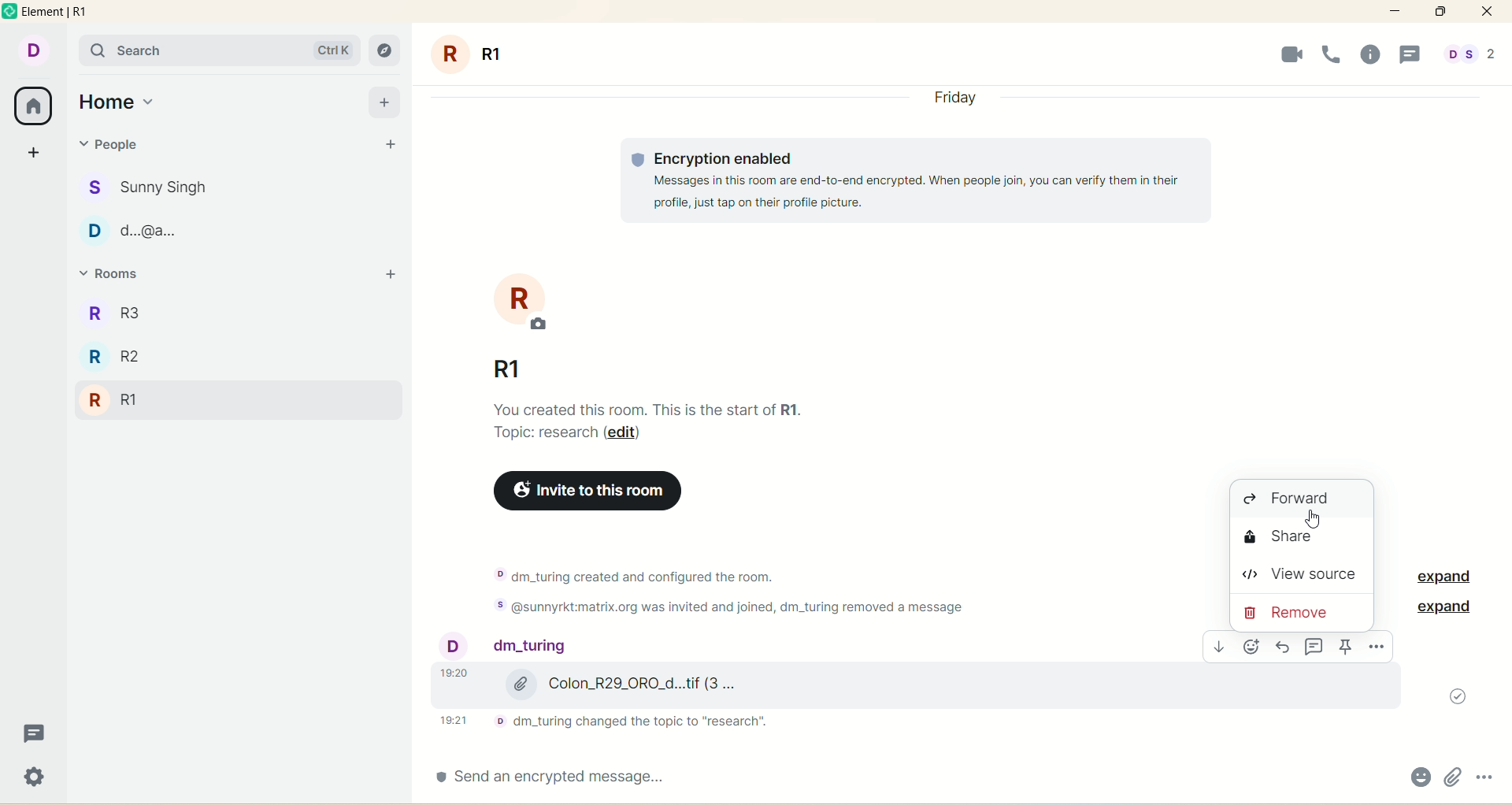 The width and height of the screenshot is (1512, 805). What do you see at coordinates (1210, 644) in the screenshot?
I see `download` at bounding box center [1210, 644].